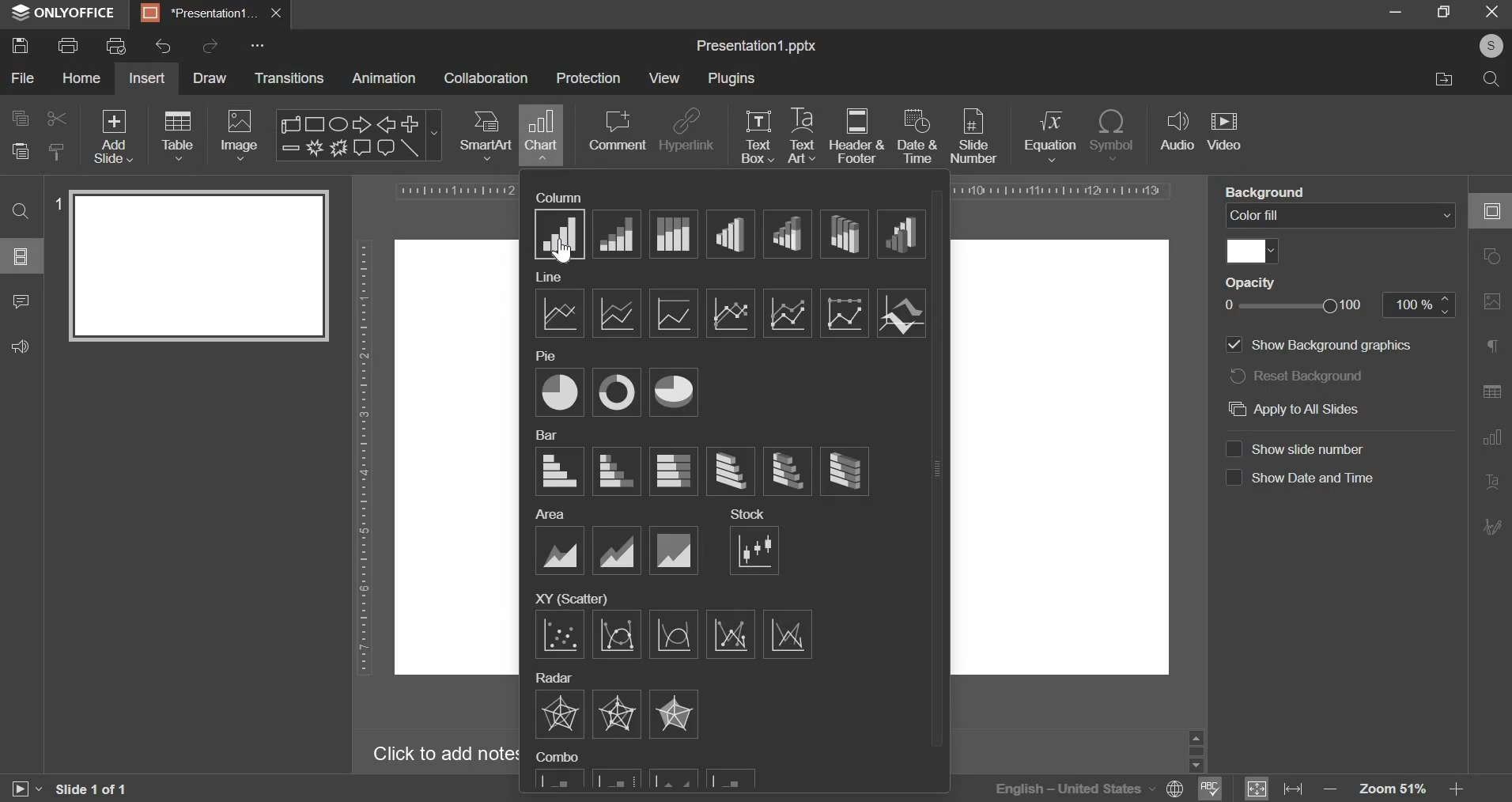  Describe the element at coordinates (1061, 459) in the screenshot. I see `workspace` at that location.